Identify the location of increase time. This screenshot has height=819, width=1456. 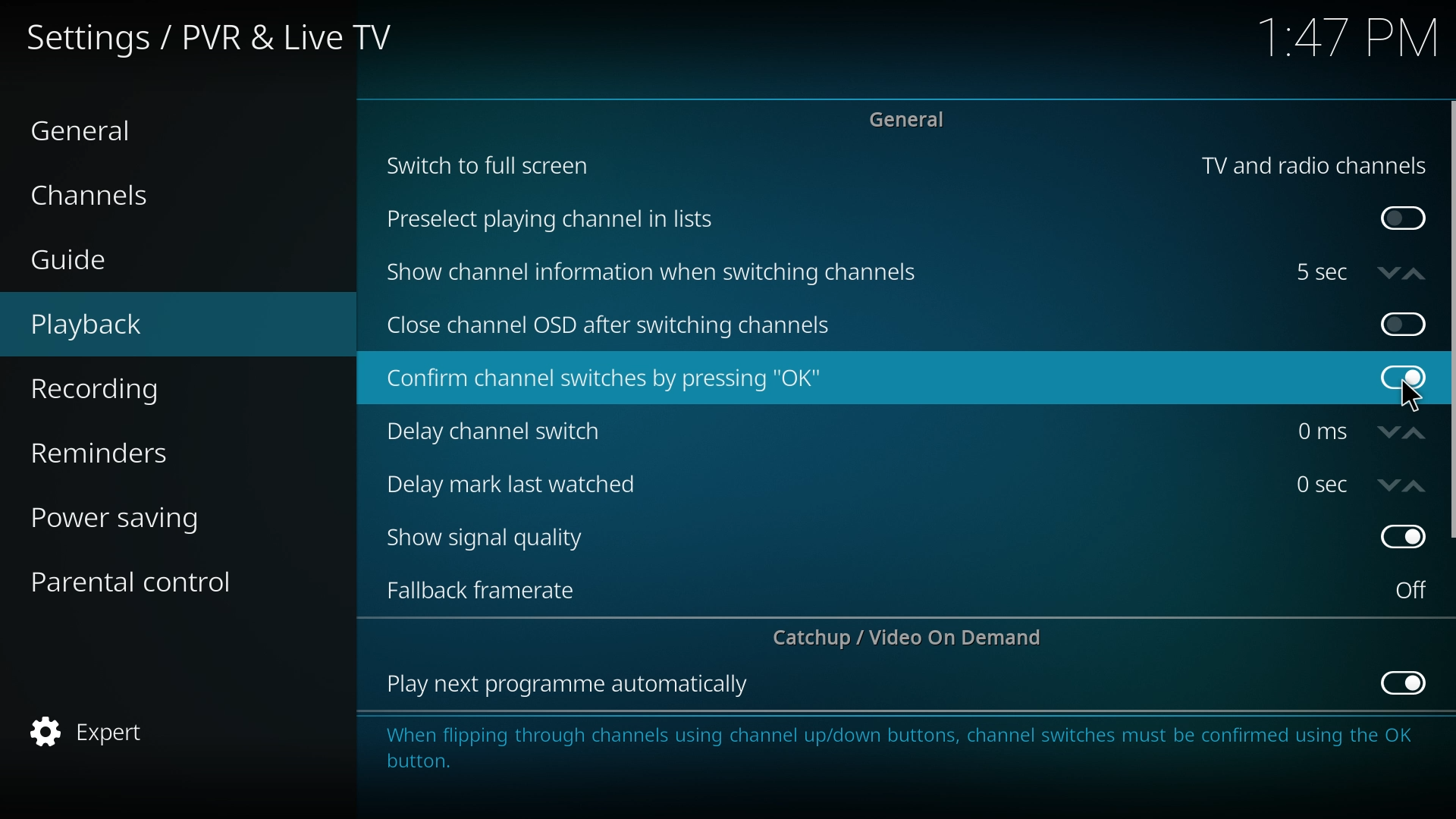
(1414, 274).